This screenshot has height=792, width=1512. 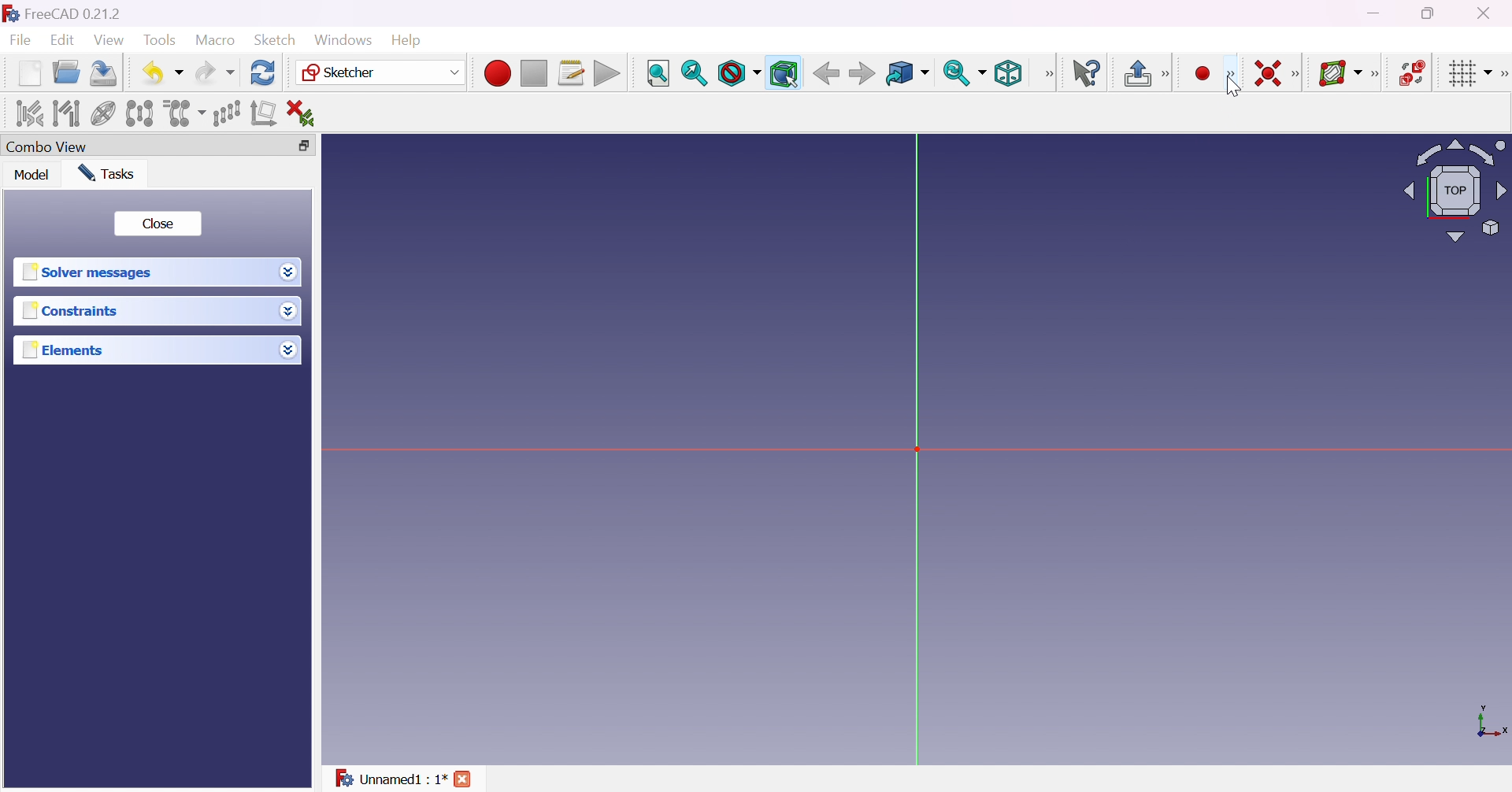 What do you see at coordinates (1503, 74) in the screenshot?
I see `Sketcher edit tools` at bounding box center [1503, 74].